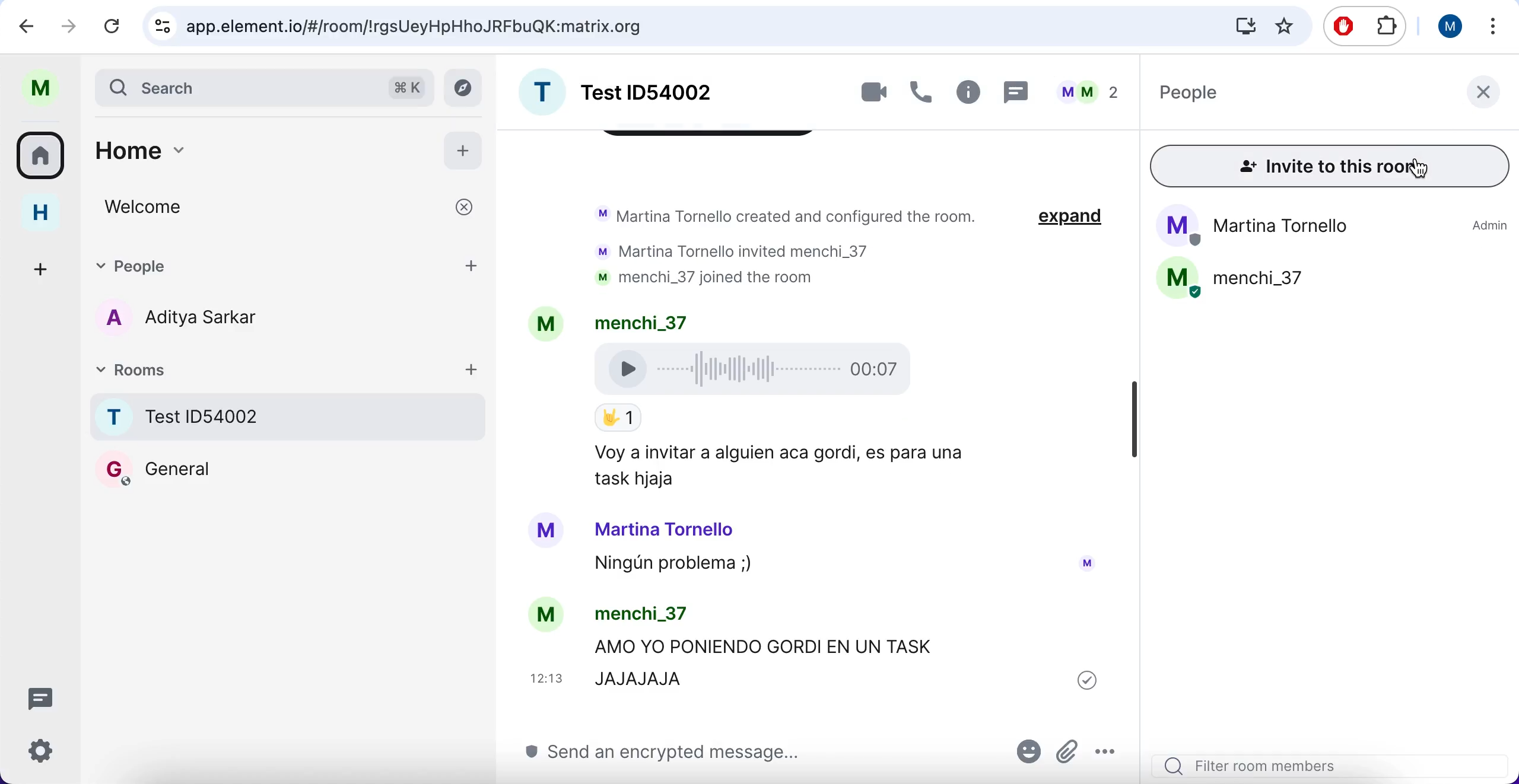 Image resolution: width=1519 pixels, height=784 pixels. Describe the element at coordinates (31, 28) in the screenshot. I see `undo` at that location.